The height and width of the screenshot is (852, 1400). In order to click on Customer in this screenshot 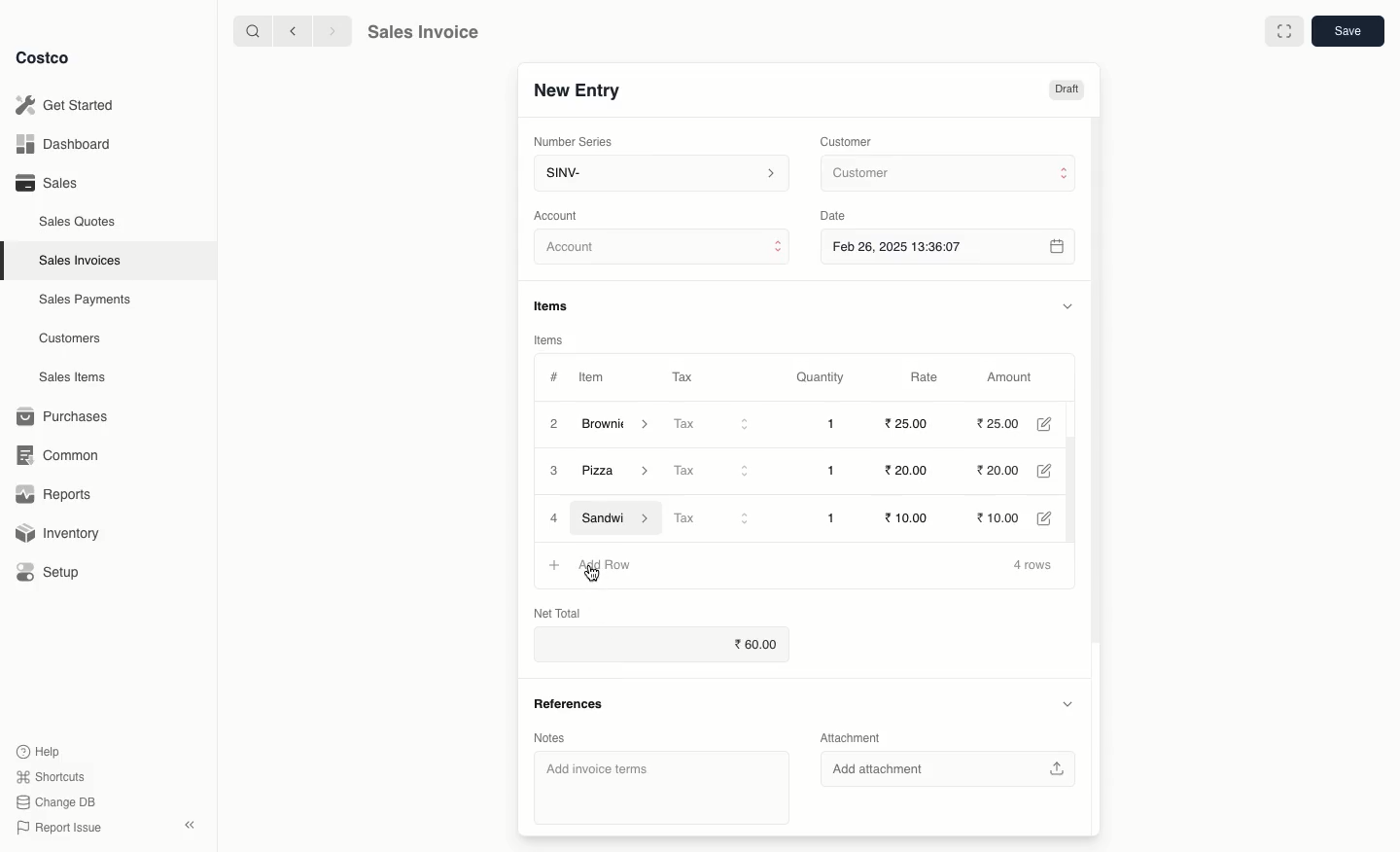, I will do `click(946, 174)`.